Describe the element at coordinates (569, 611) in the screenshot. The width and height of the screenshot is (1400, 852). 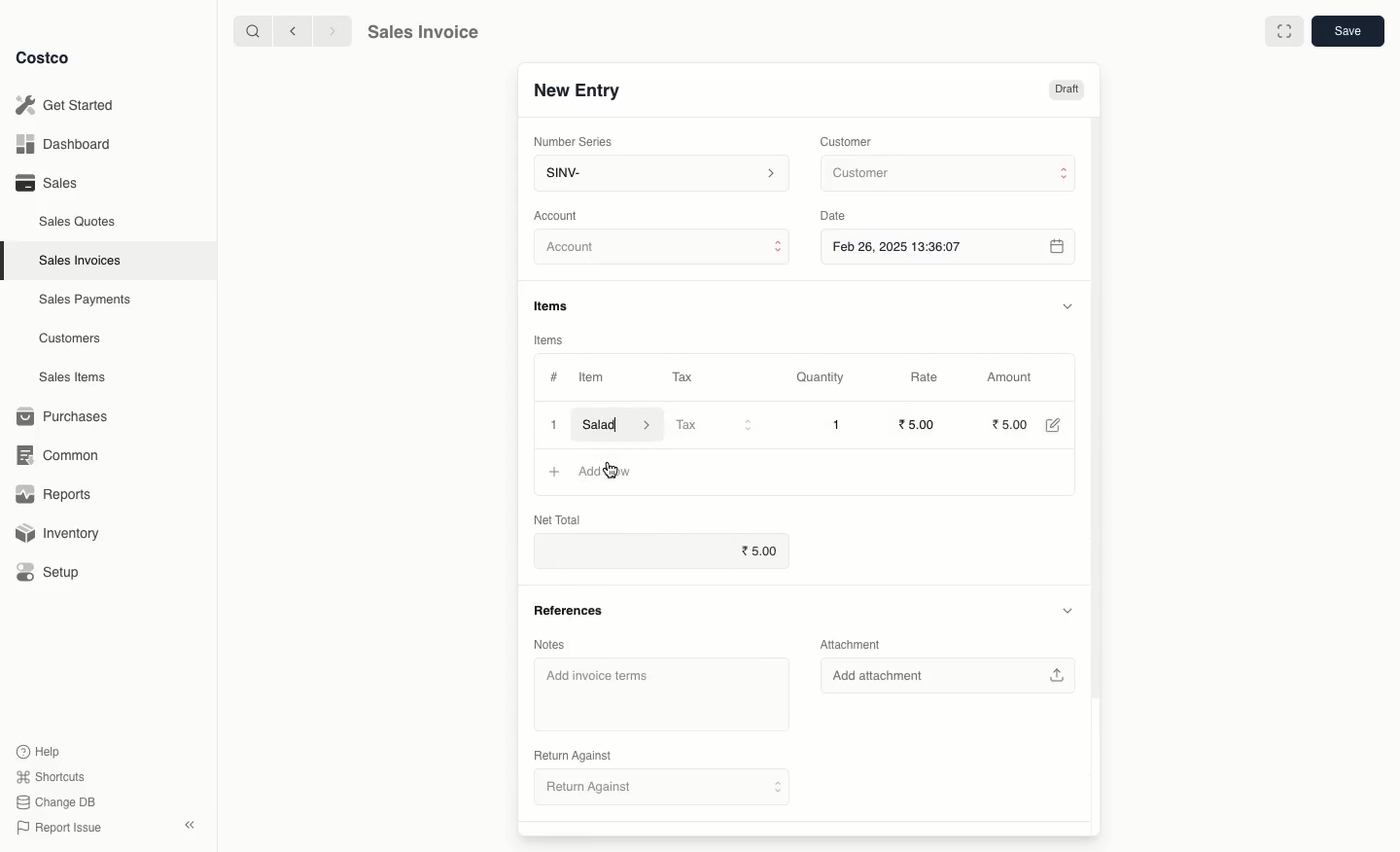
I see `References` at that location.